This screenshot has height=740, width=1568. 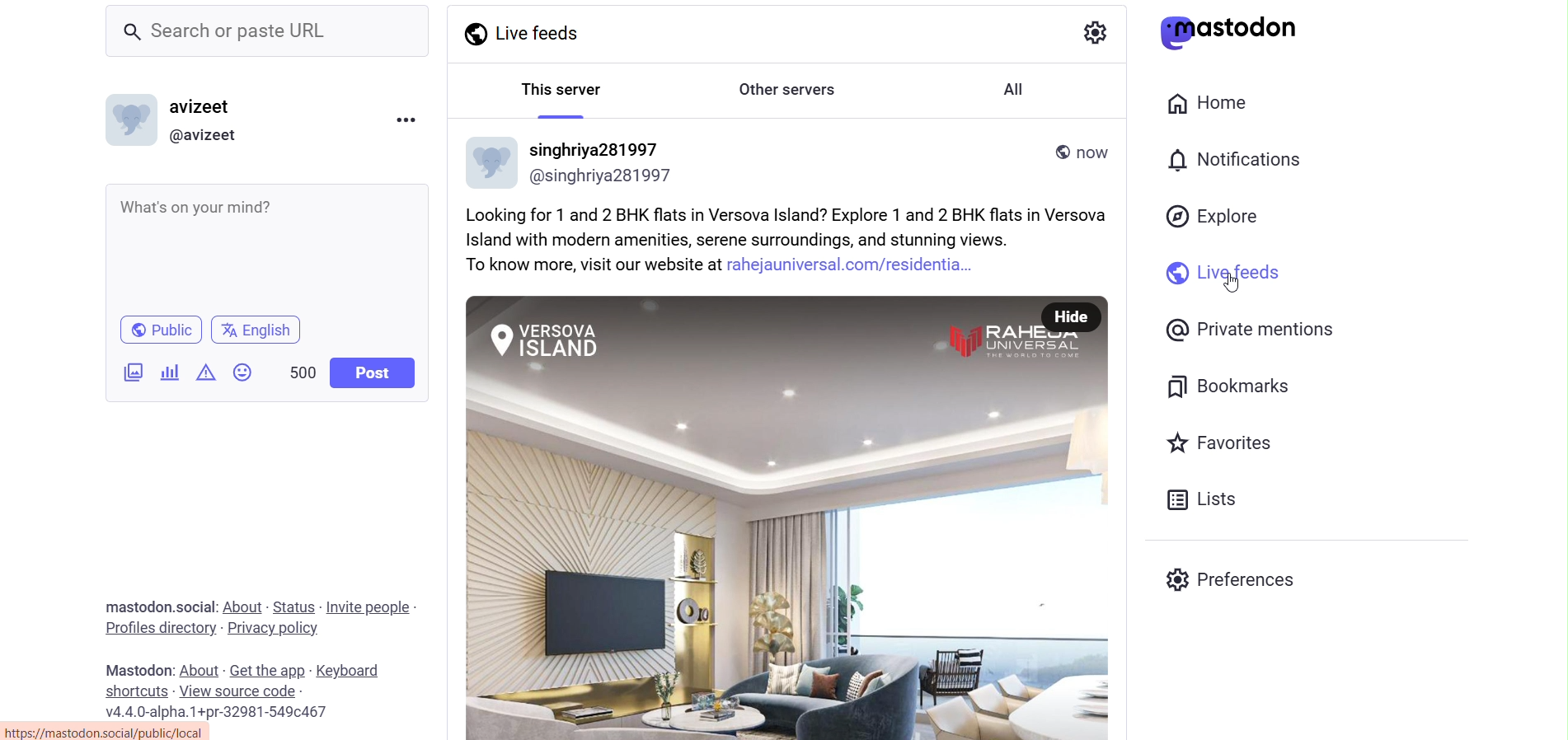 What do you see at coordinates (350, 671) in the screenshot?
I see `keyboard` at bounding box center [350, 671].